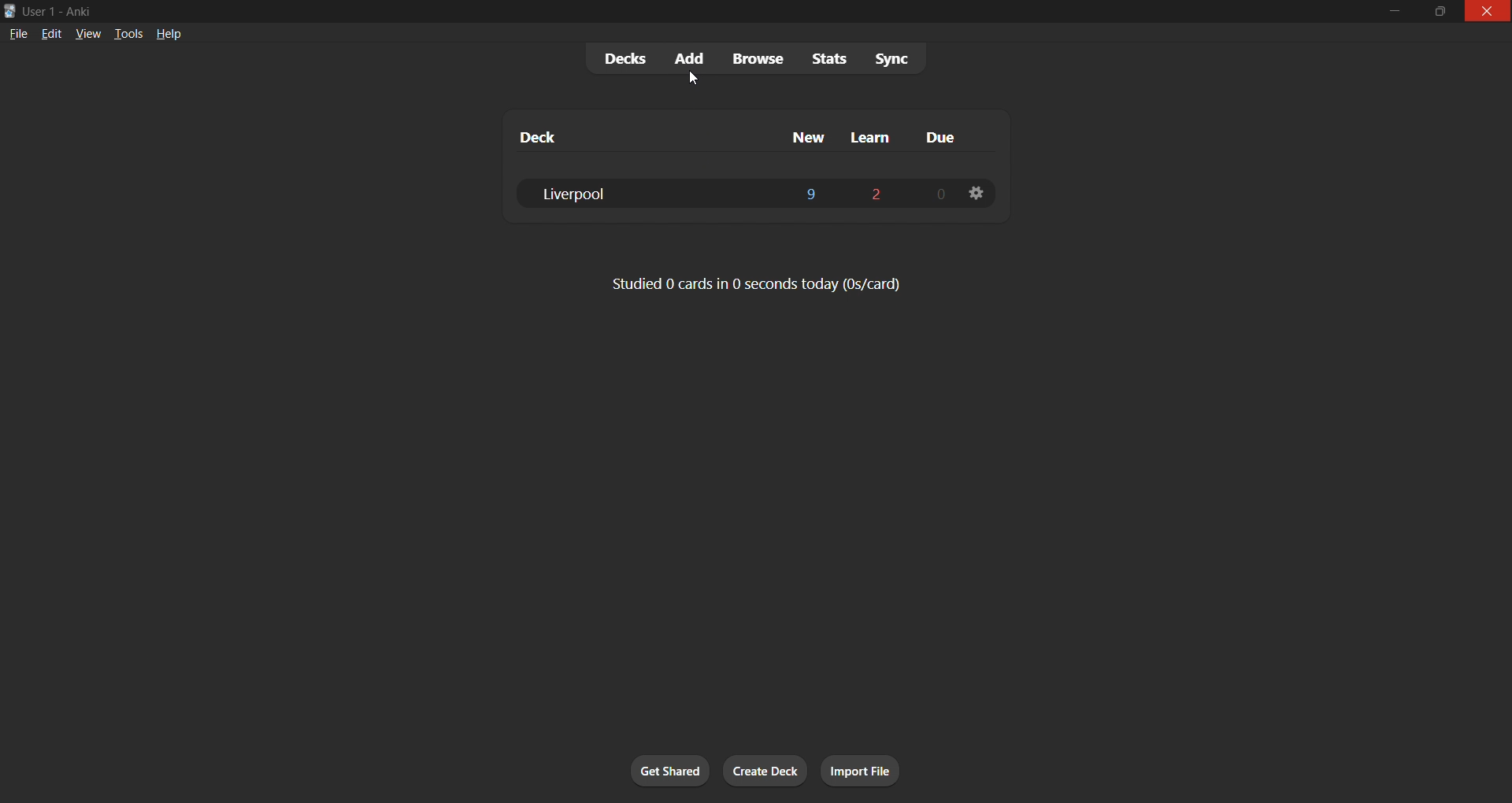  I want to click on close, so click(1484, 12).